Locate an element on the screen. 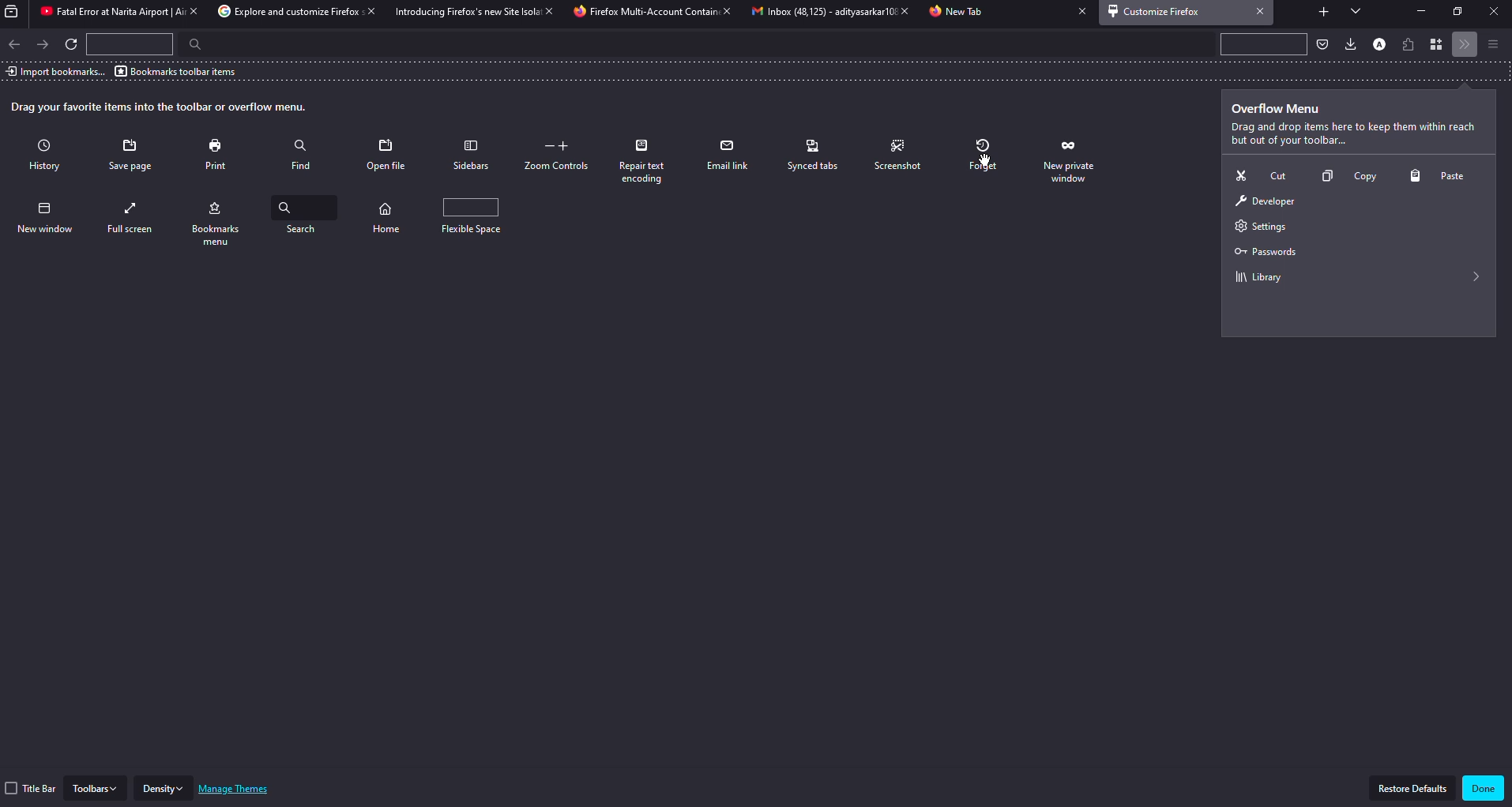 The height and width of the screenshot is (807, 1512). bookmarks toolbar items is located at coordinates (178, 71).